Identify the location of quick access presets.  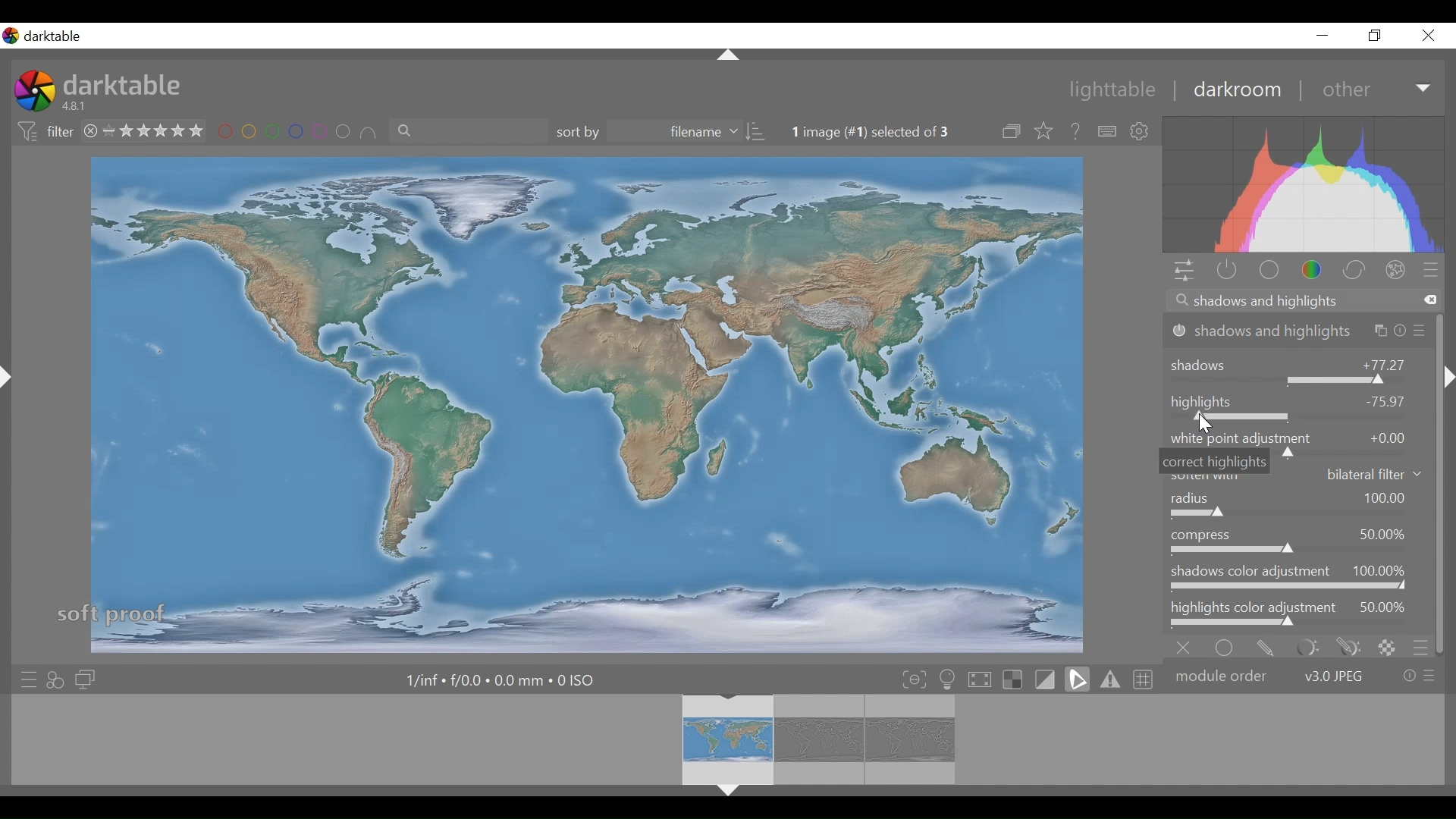
(25, 677).